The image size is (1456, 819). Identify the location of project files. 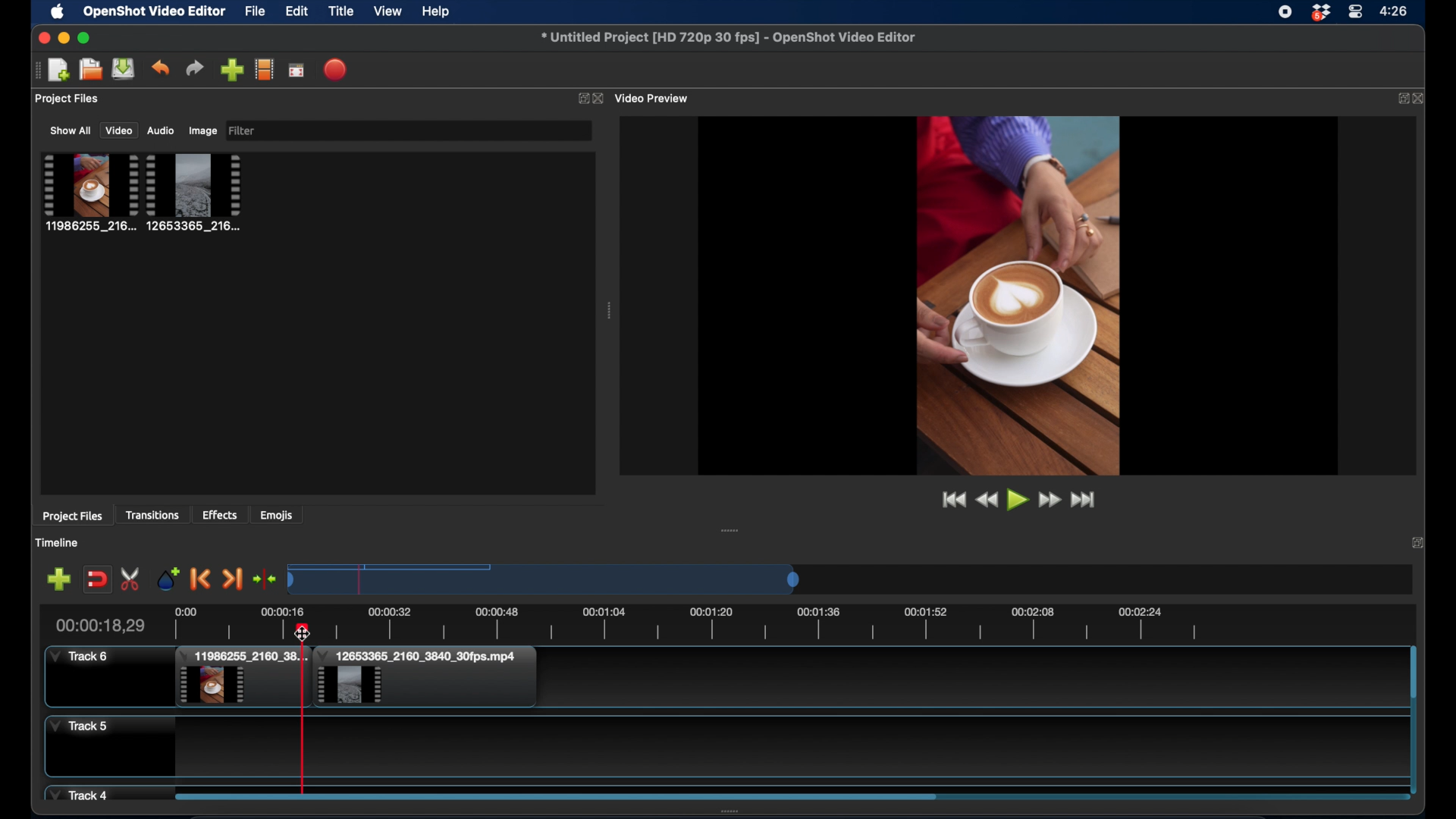
(67, 99).